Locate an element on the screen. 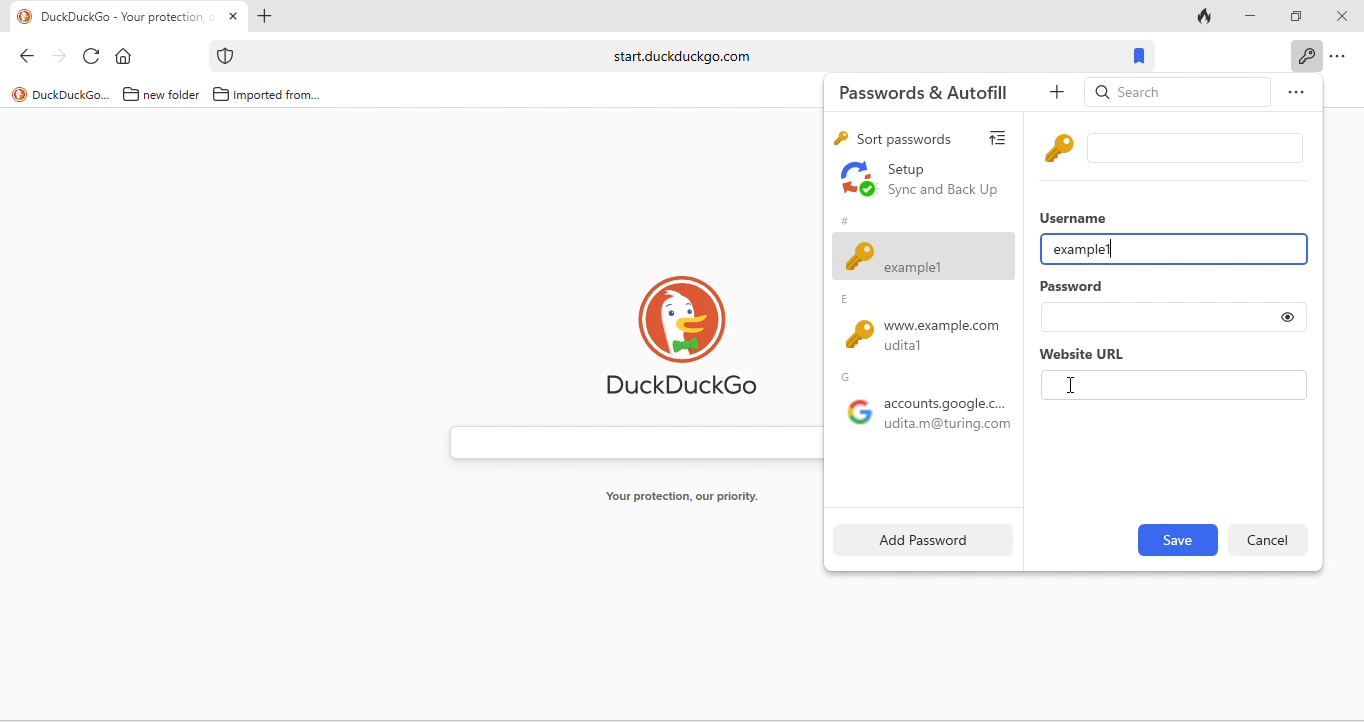 This screenshot has height=722, width=1364. # is located at coordinates (846, 221).